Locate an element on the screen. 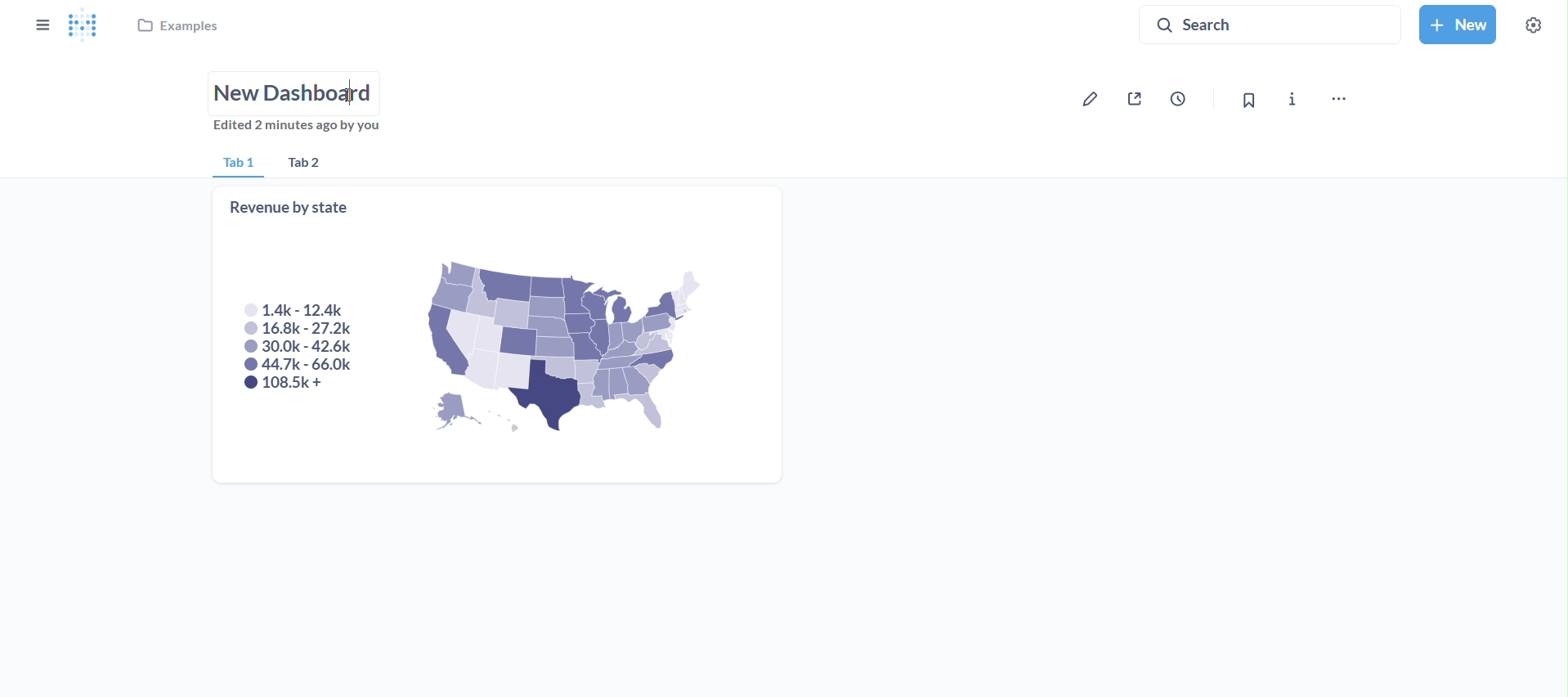 The height and width of the screenshot is (697, 1568). cursor is located at coordinates (352, 97).